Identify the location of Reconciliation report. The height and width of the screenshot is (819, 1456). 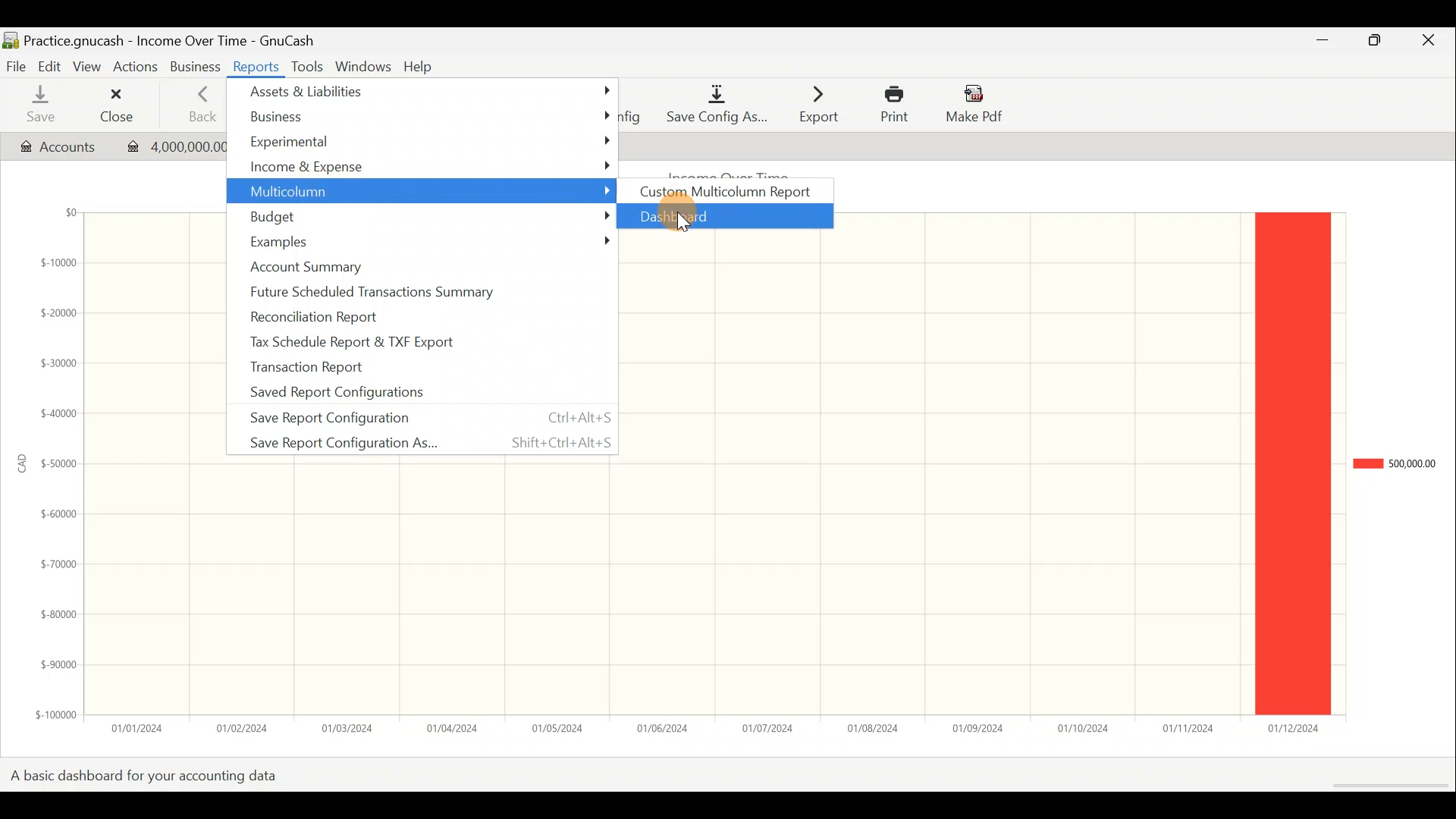
(412, 316).